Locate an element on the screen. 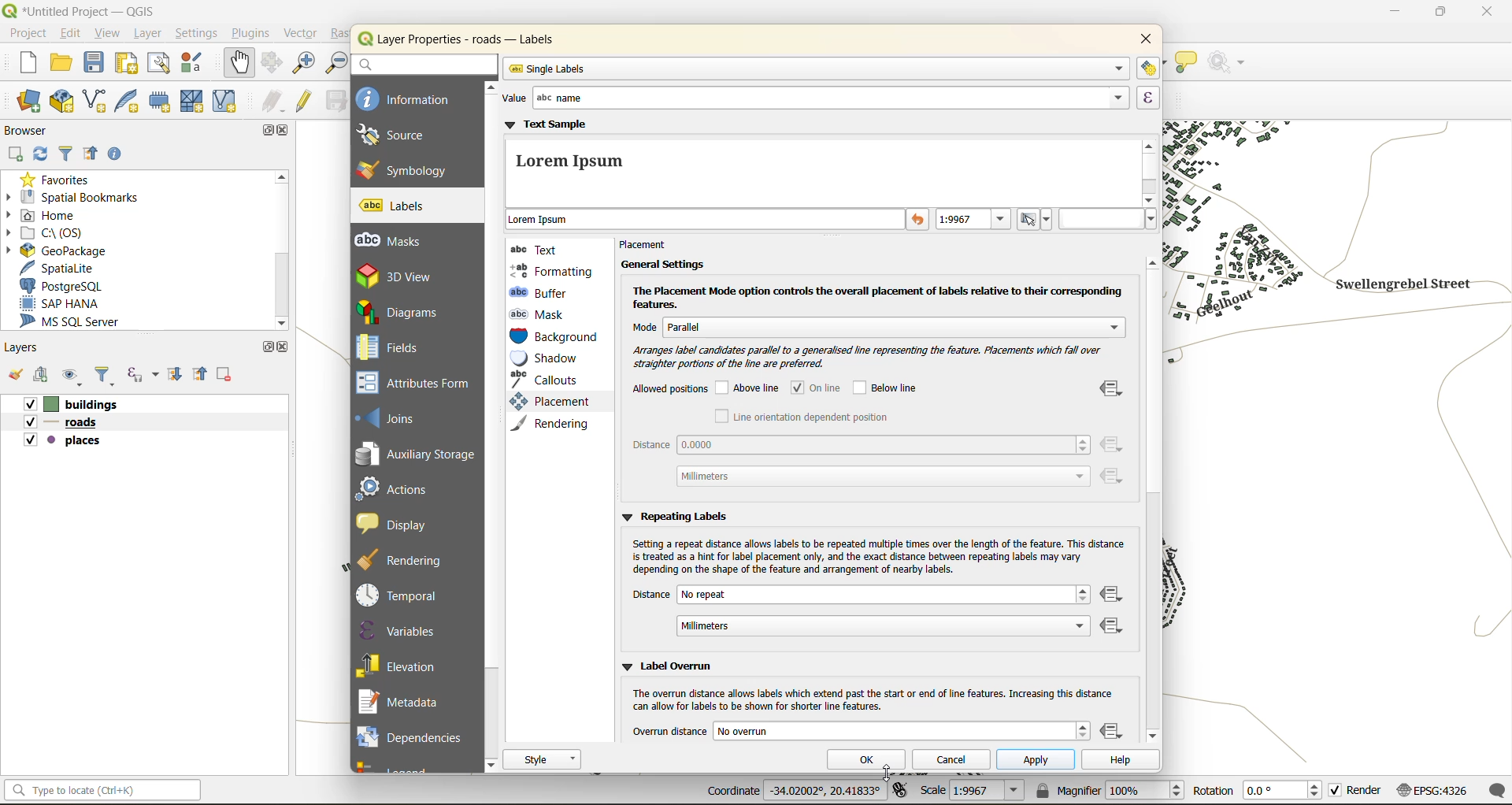 This screenshot has width=1512, height=805. Arranges label candidates parallel to 3 generalised line representing the feature. Placements which fall over
straighter portions of the line are preferred. is located at coordinates (864, 357).